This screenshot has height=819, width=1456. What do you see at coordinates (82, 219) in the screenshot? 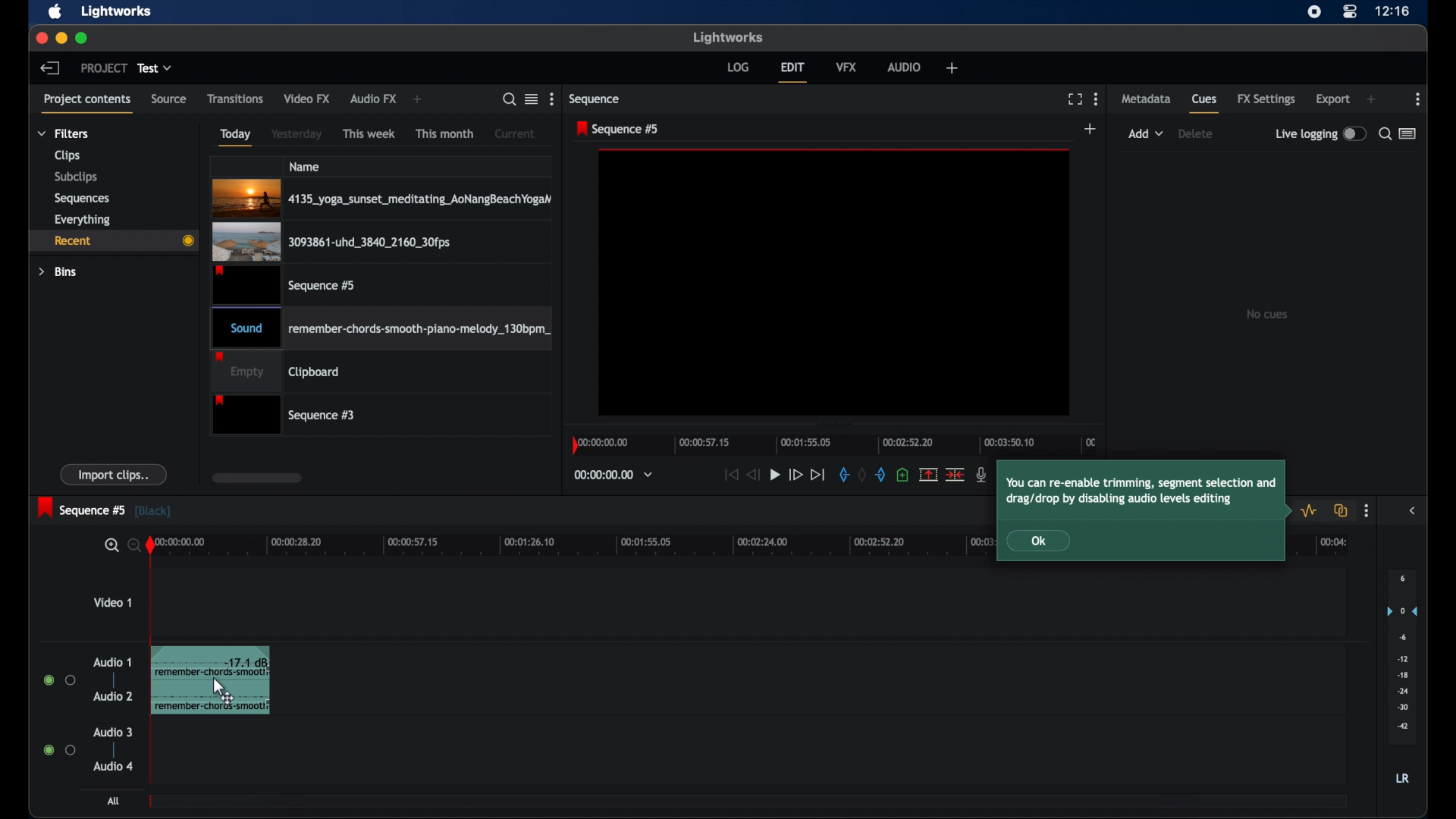
I see `everything` at bounding box center [82, 219].